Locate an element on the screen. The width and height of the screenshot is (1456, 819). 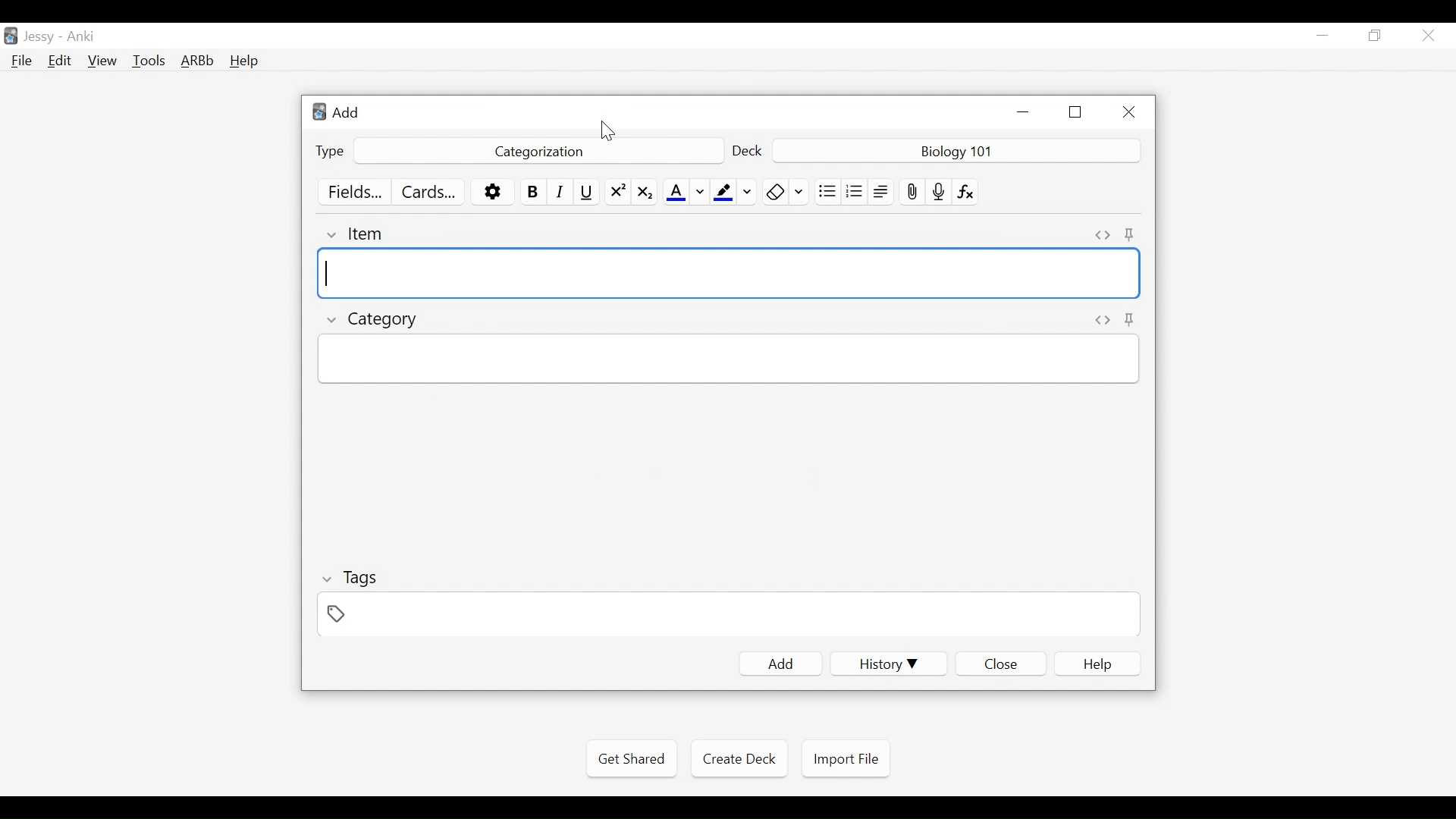
Add is located at coordinates (780, 664).